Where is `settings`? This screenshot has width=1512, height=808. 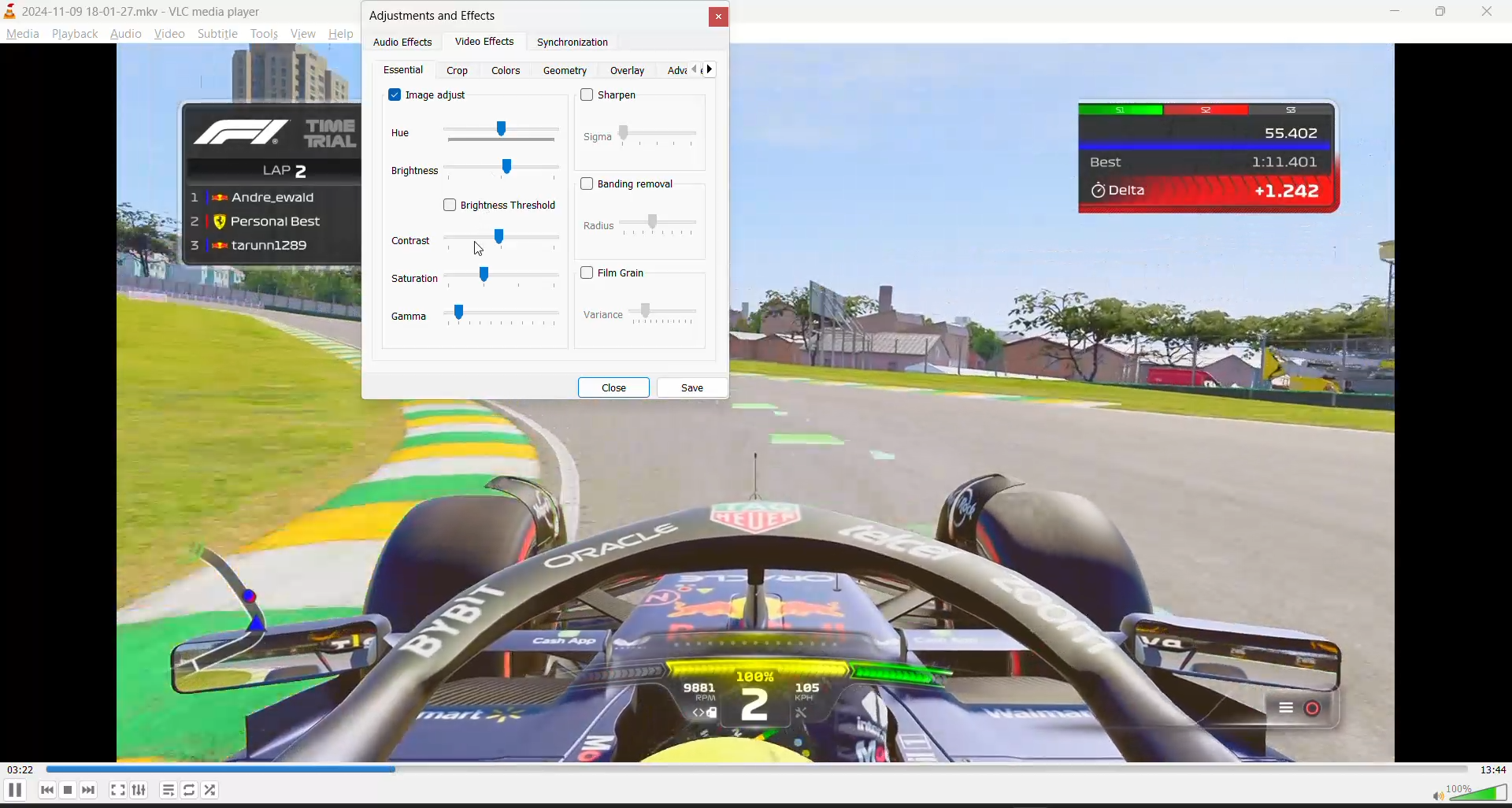 settings is located at coordinates (139, 790).